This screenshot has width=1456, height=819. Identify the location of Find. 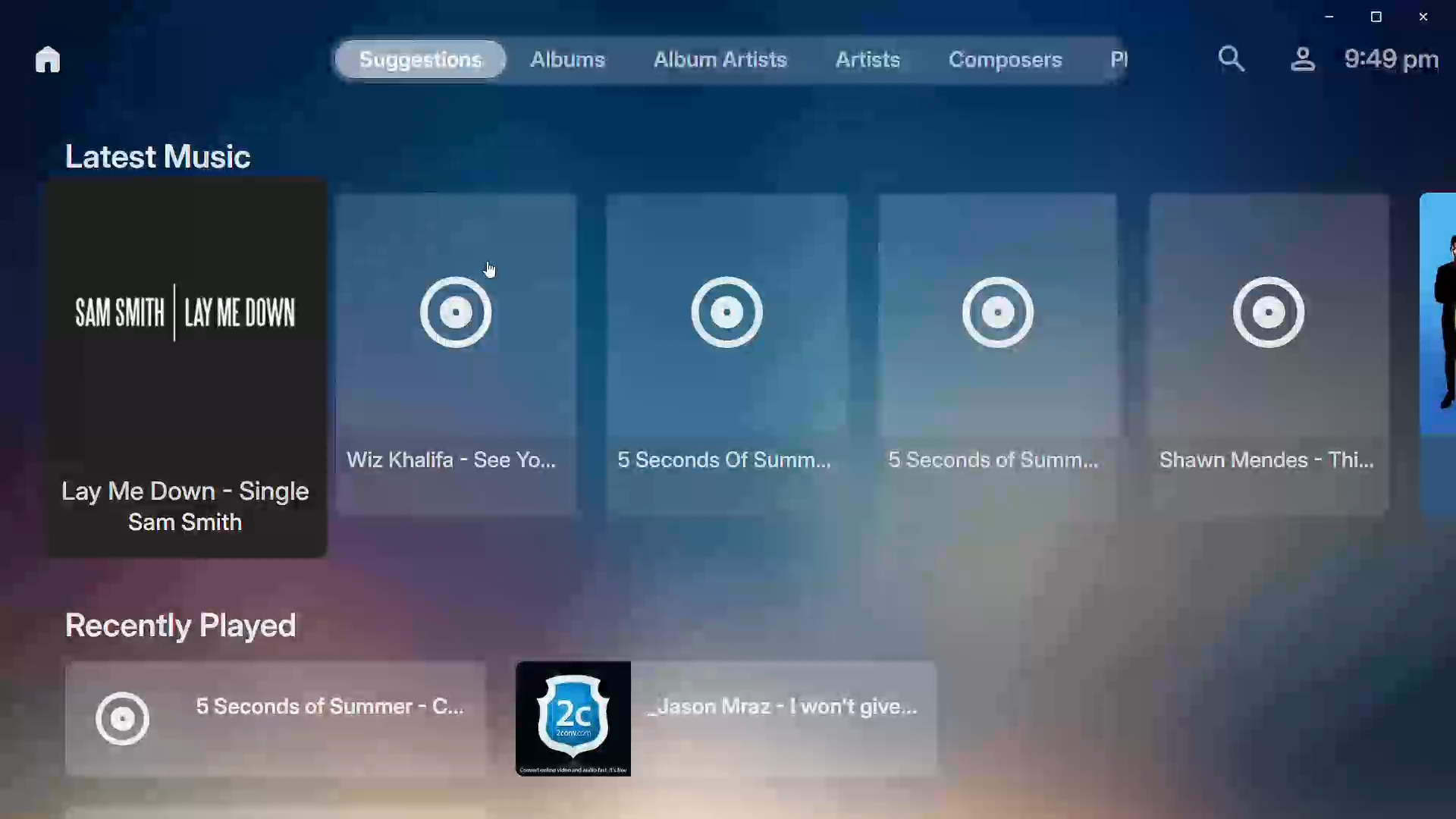
(1222, 56).